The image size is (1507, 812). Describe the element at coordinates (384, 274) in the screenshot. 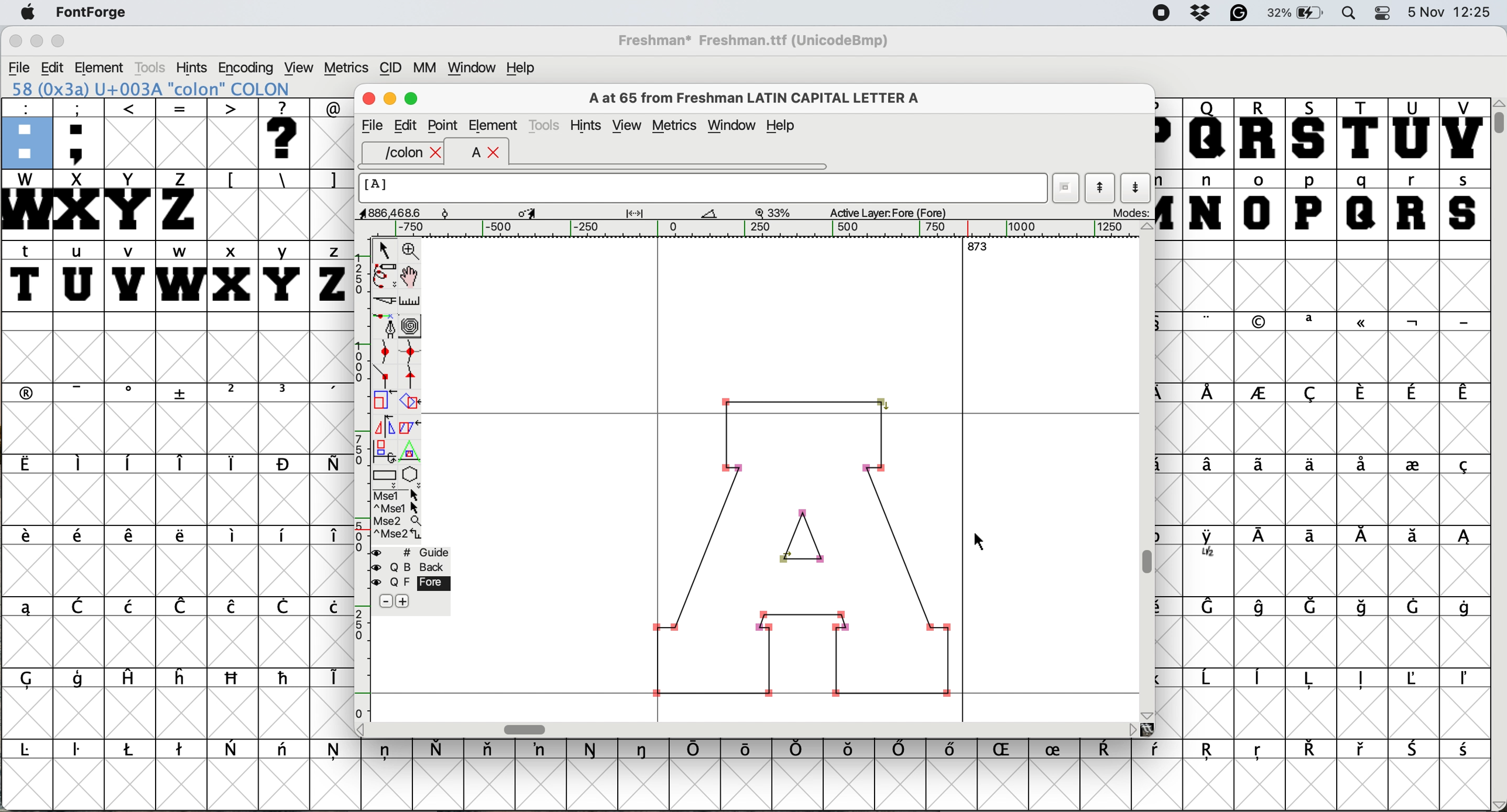

I see `draw freehand curve` at that location.